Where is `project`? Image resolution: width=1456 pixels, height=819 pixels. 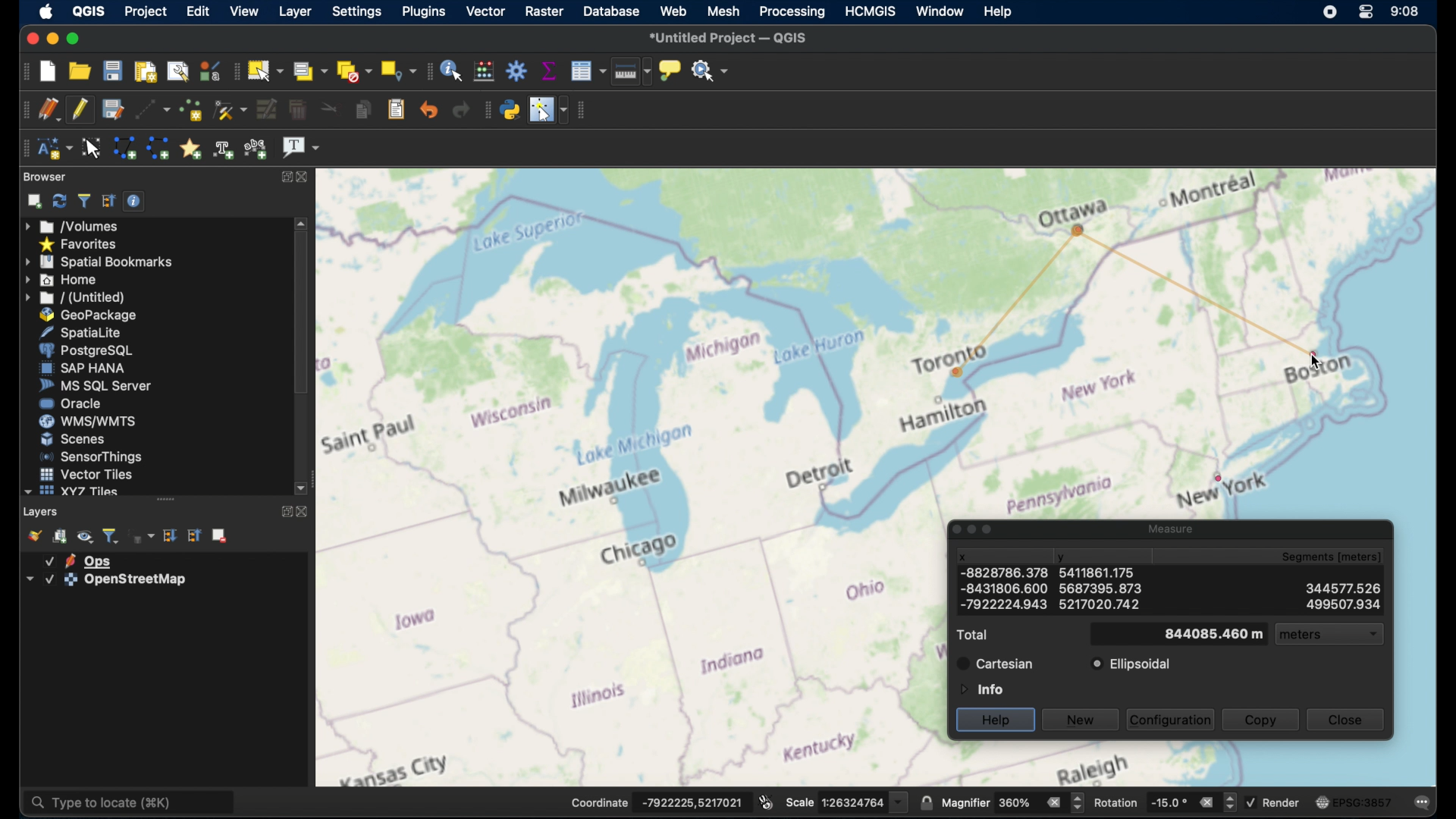
project is located at coordinates (146, 11).